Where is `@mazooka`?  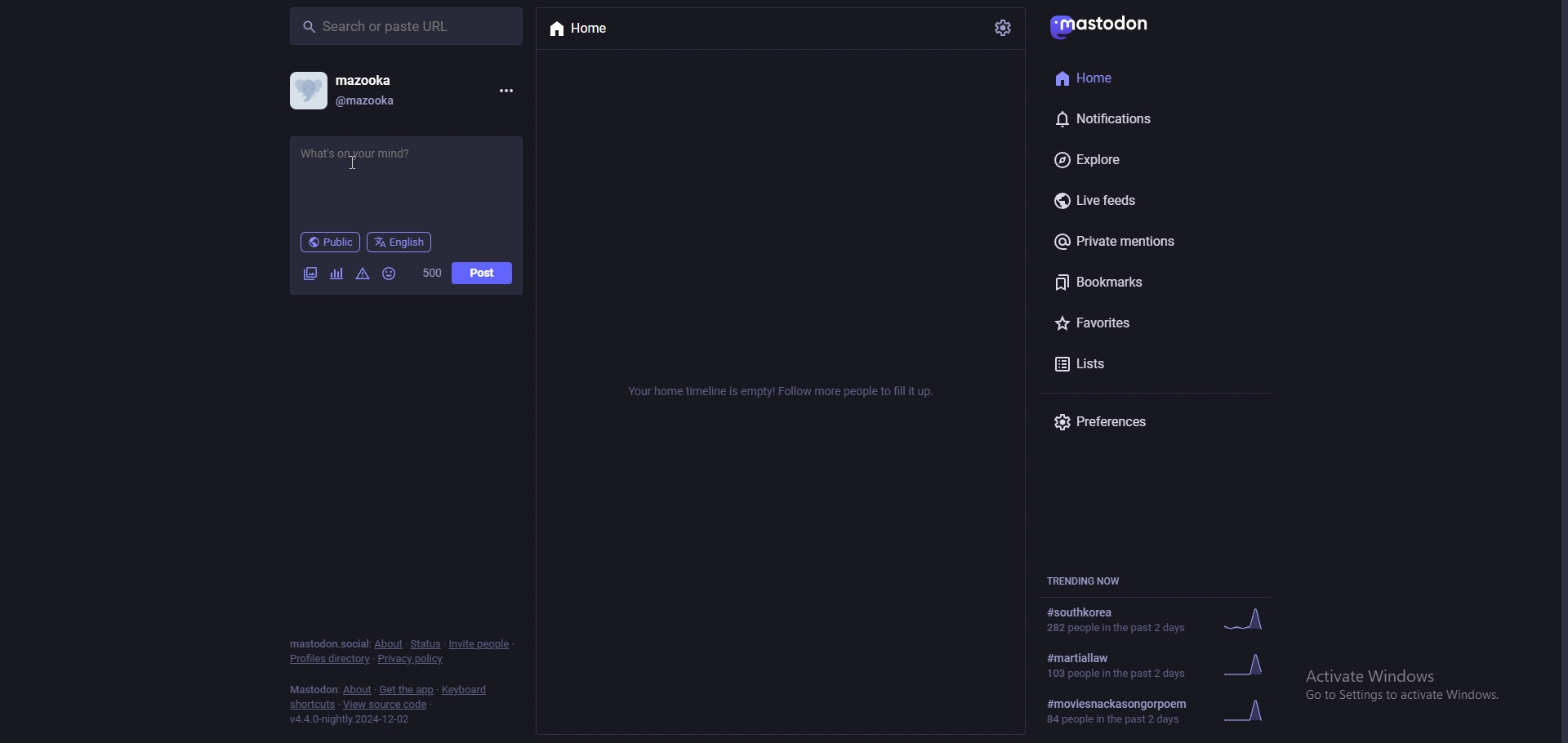
@mazooka is located at coordinates (379, 100).